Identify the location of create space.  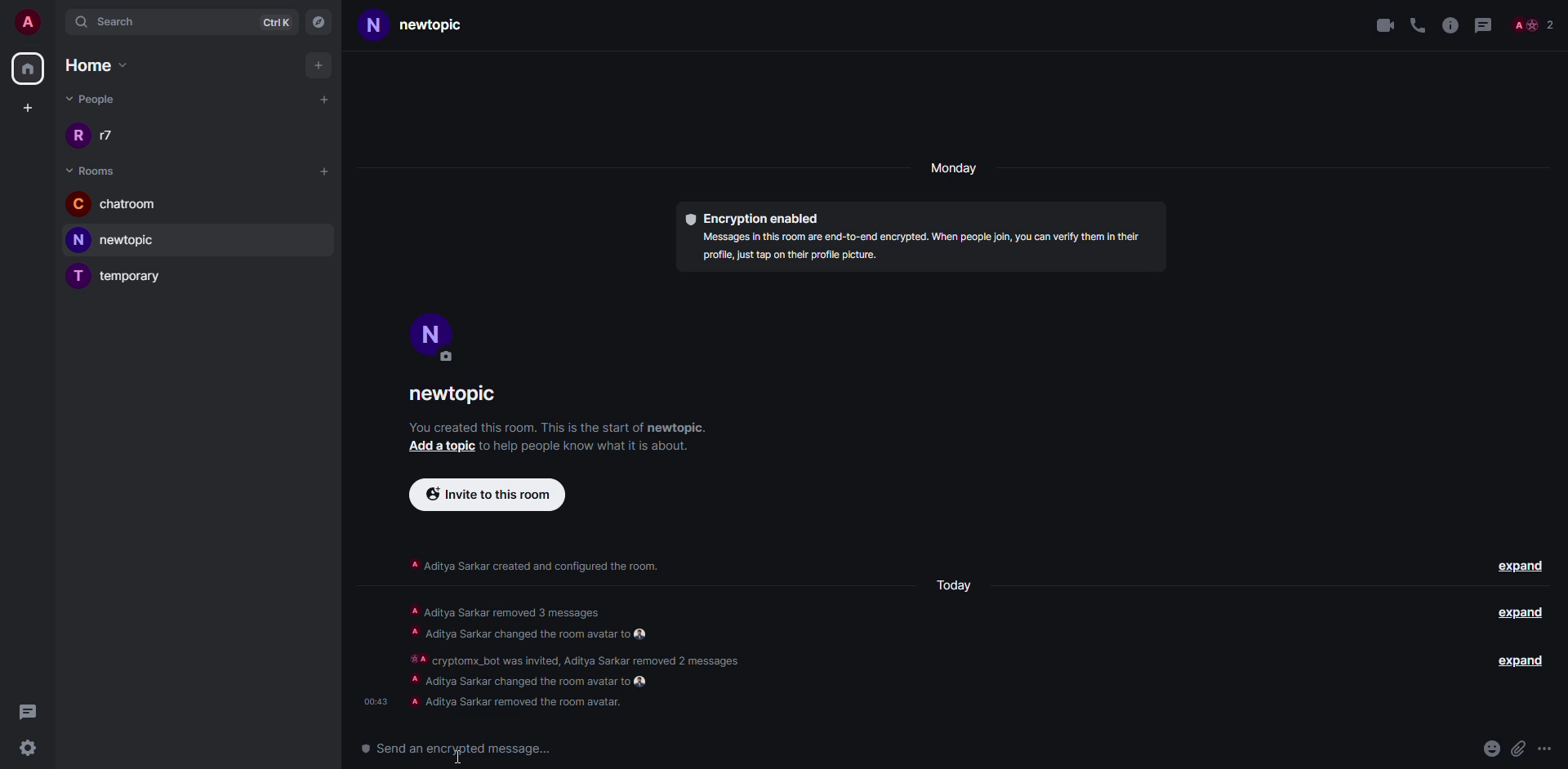
(24, 108).